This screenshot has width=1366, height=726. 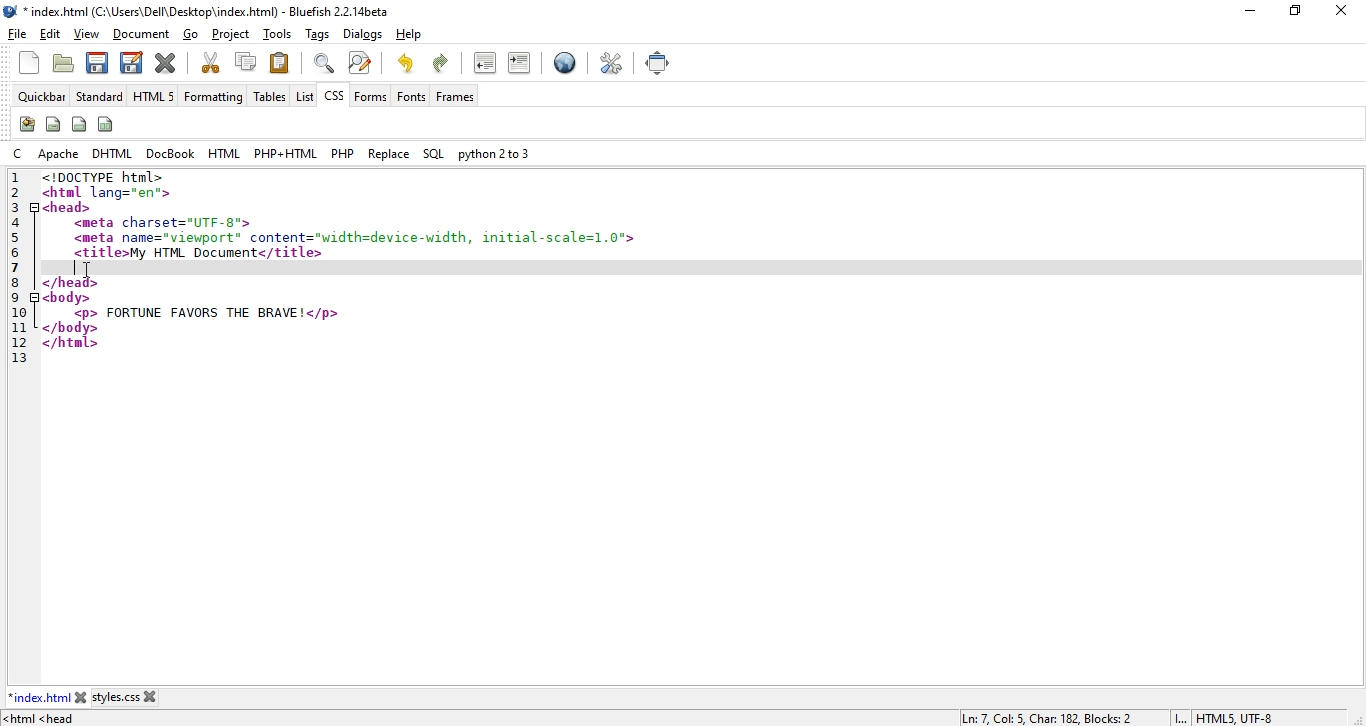 What do you see at coordinates (565, 65) in the screenshot?
I see `preview in browser` at bounding box center [565, 65].